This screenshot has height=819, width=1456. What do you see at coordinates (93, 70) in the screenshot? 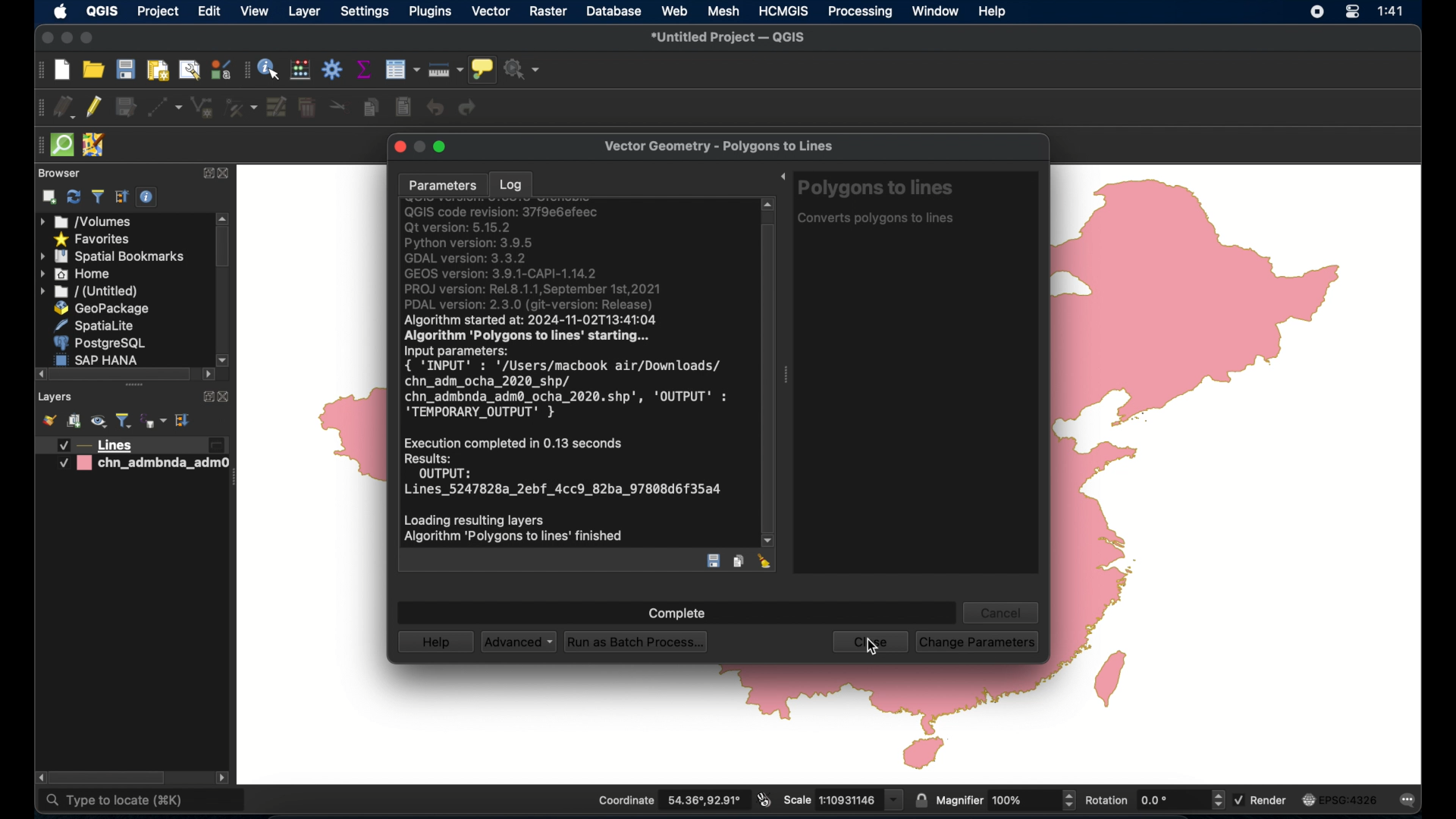
I see `open project` at bounding box center [93, 70].